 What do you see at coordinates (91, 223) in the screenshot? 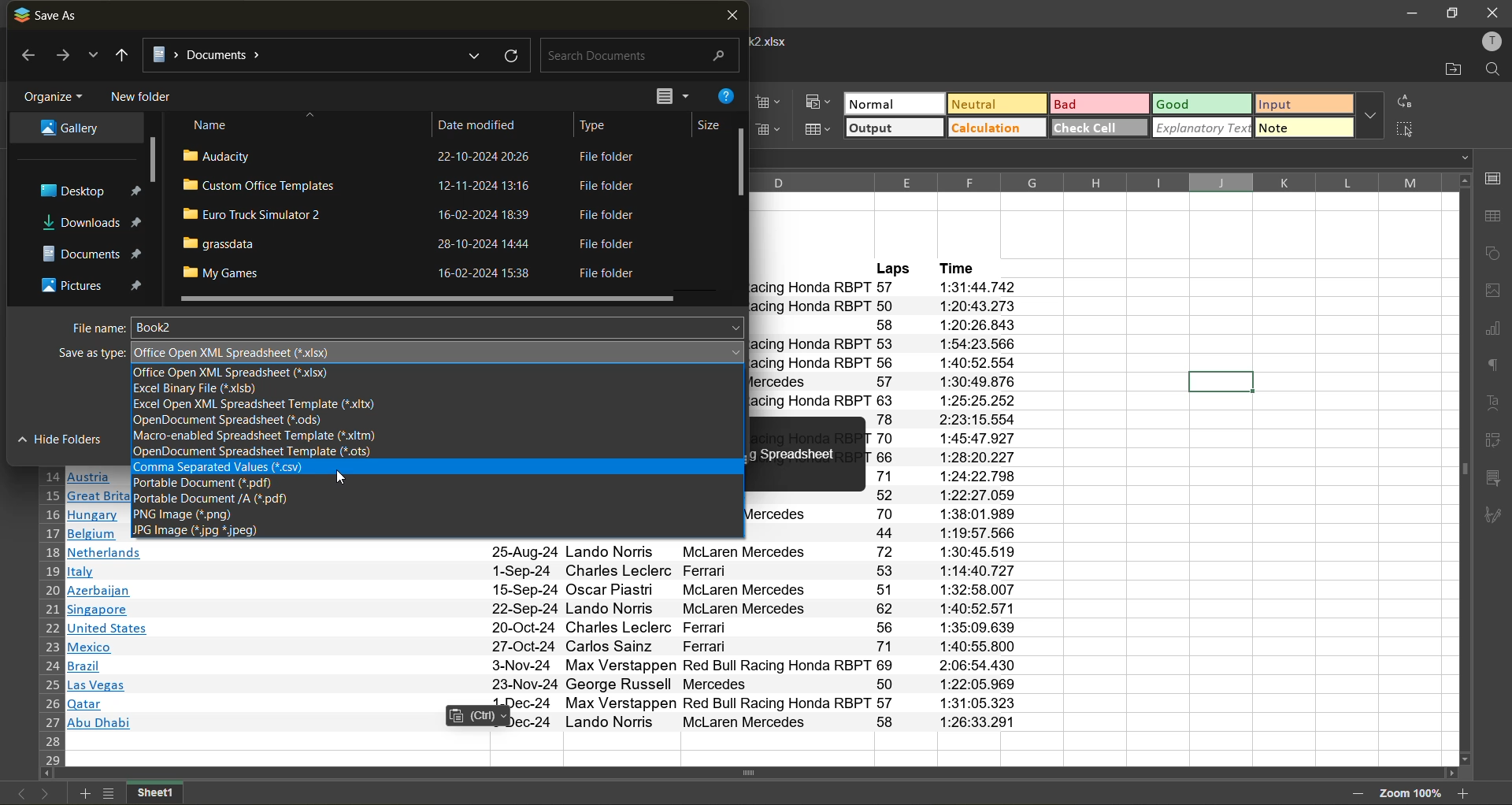
I see `folder` at bounding box center [91, 223].